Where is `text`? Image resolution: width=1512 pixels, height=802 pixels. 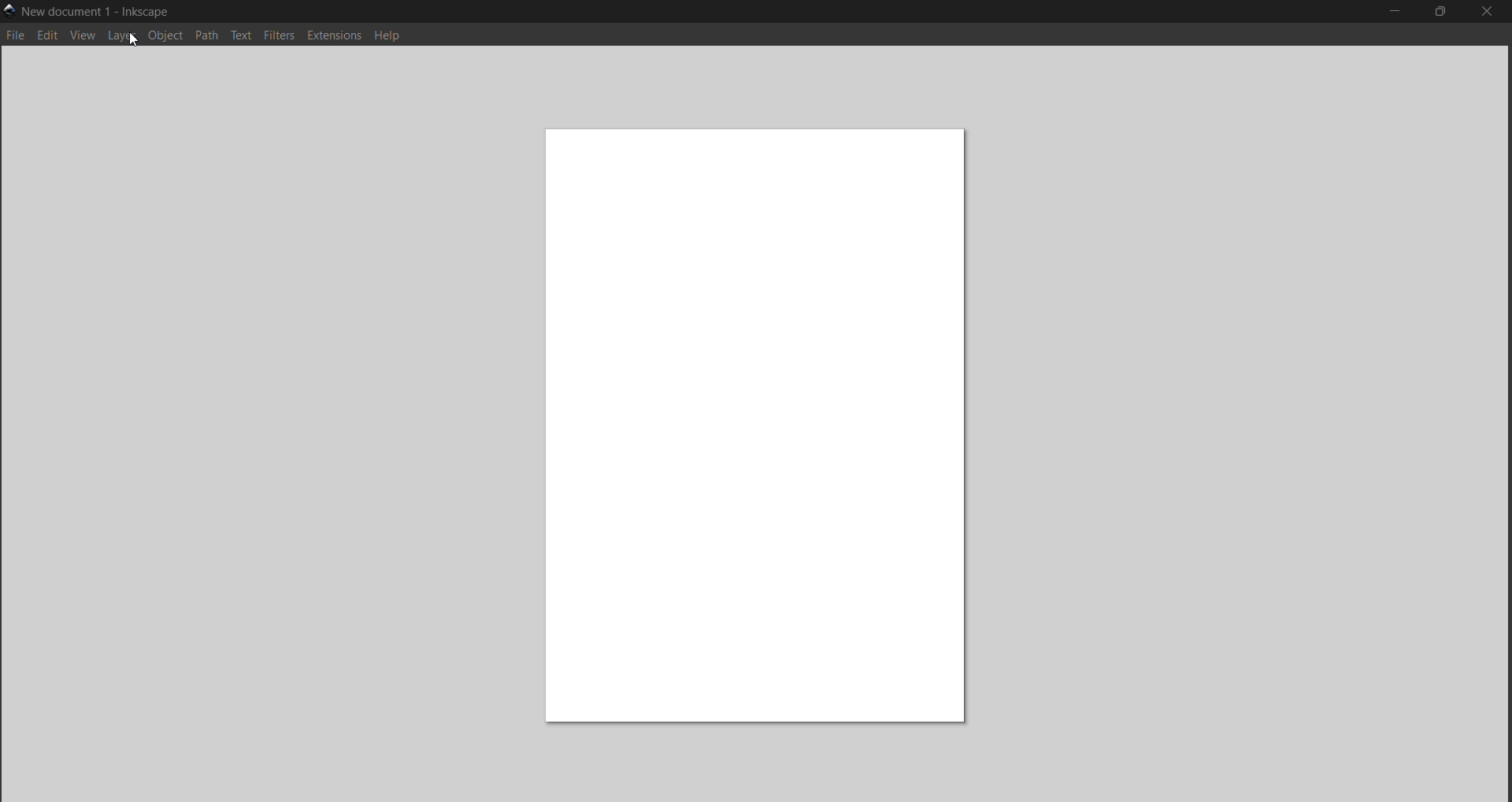 text is located at coordinates (243, 37).